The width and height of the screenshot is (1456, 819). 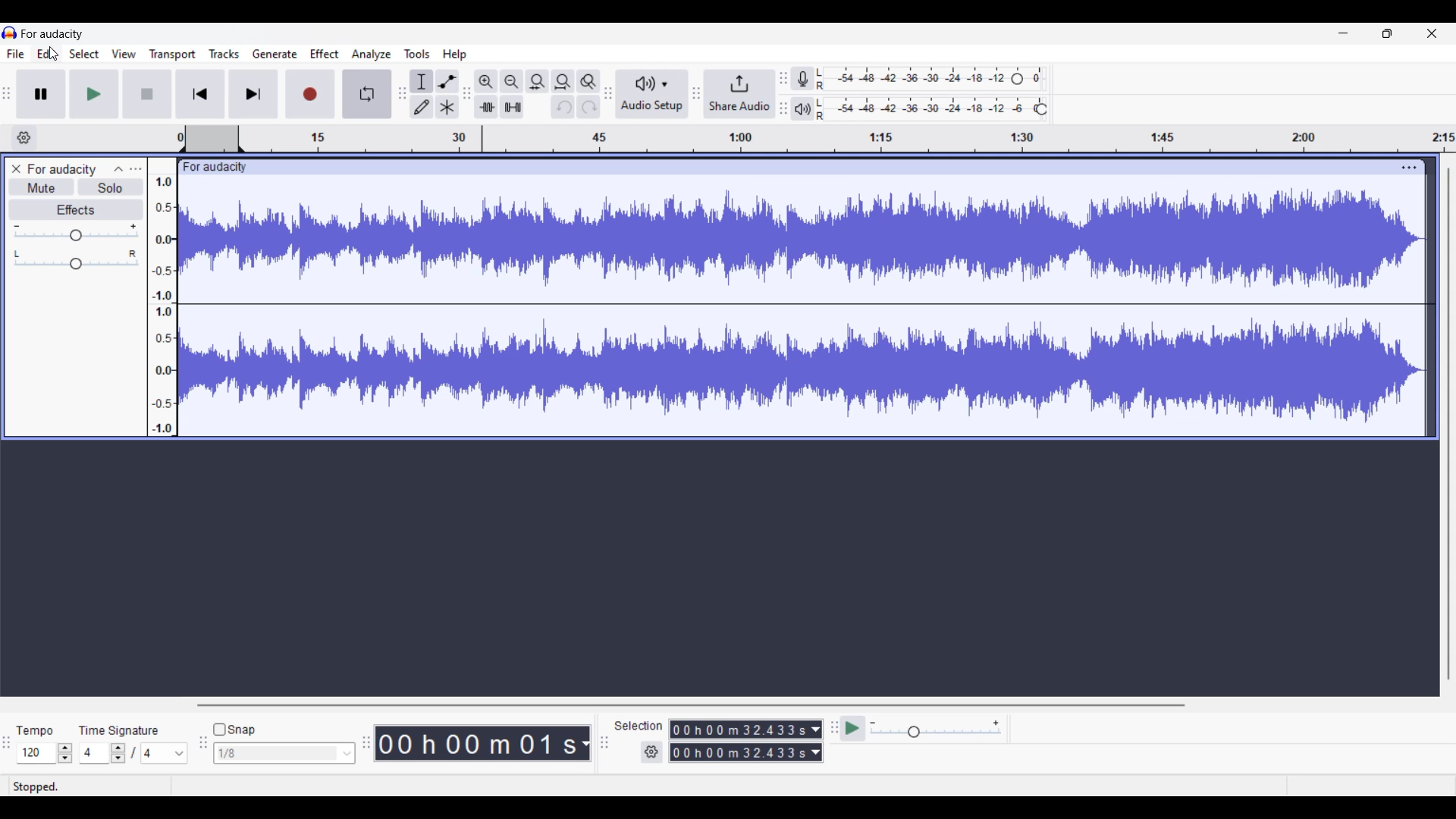 I want to click on Horizontal scroll bar, so click(x=689, y=705).